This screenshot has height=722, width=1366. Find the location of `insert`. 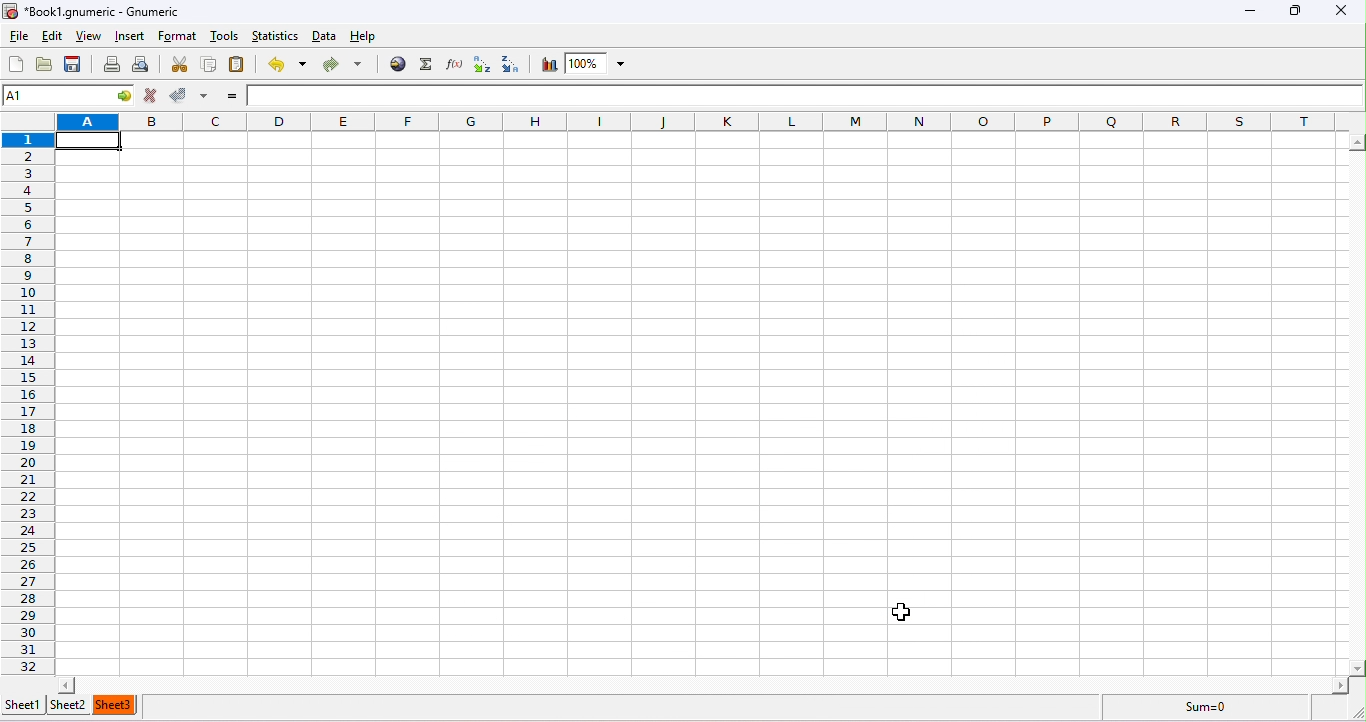

insert is located at coordinates (132, 37).